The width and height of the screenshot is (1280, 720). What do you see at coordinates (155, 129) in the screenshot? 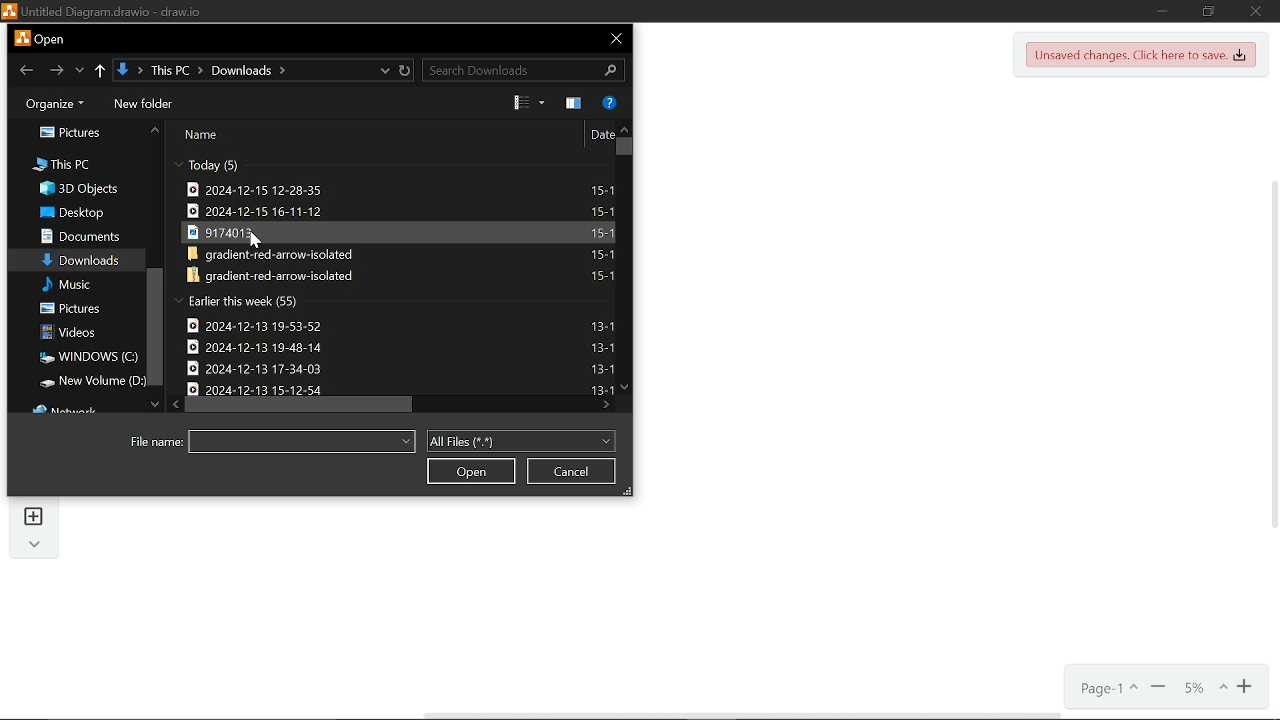
I see `Move up in folders` at bounding box center [155, 129].